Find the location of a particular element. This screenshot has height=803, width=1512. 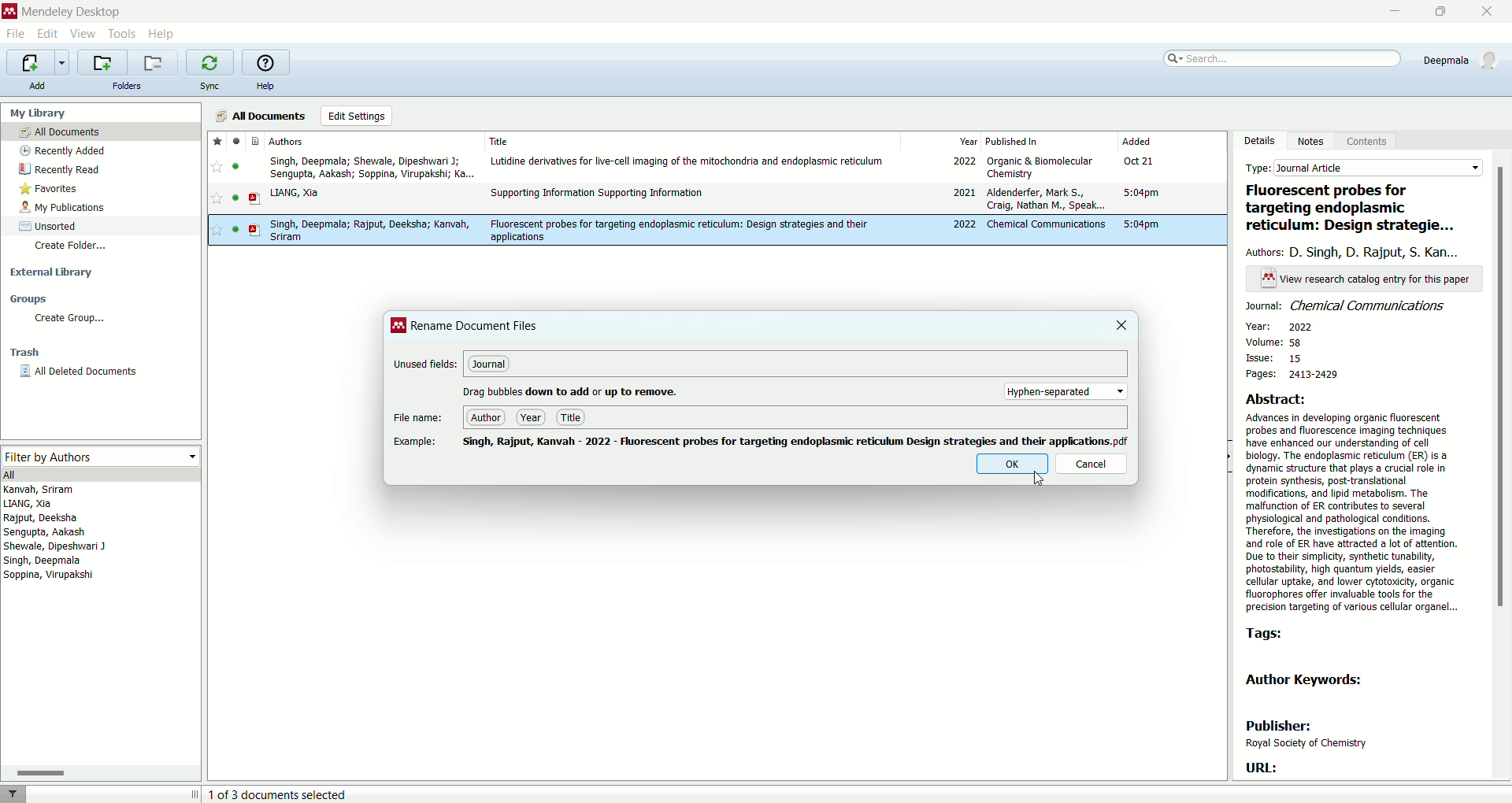

read/unread is located at coordinates (235, 166).